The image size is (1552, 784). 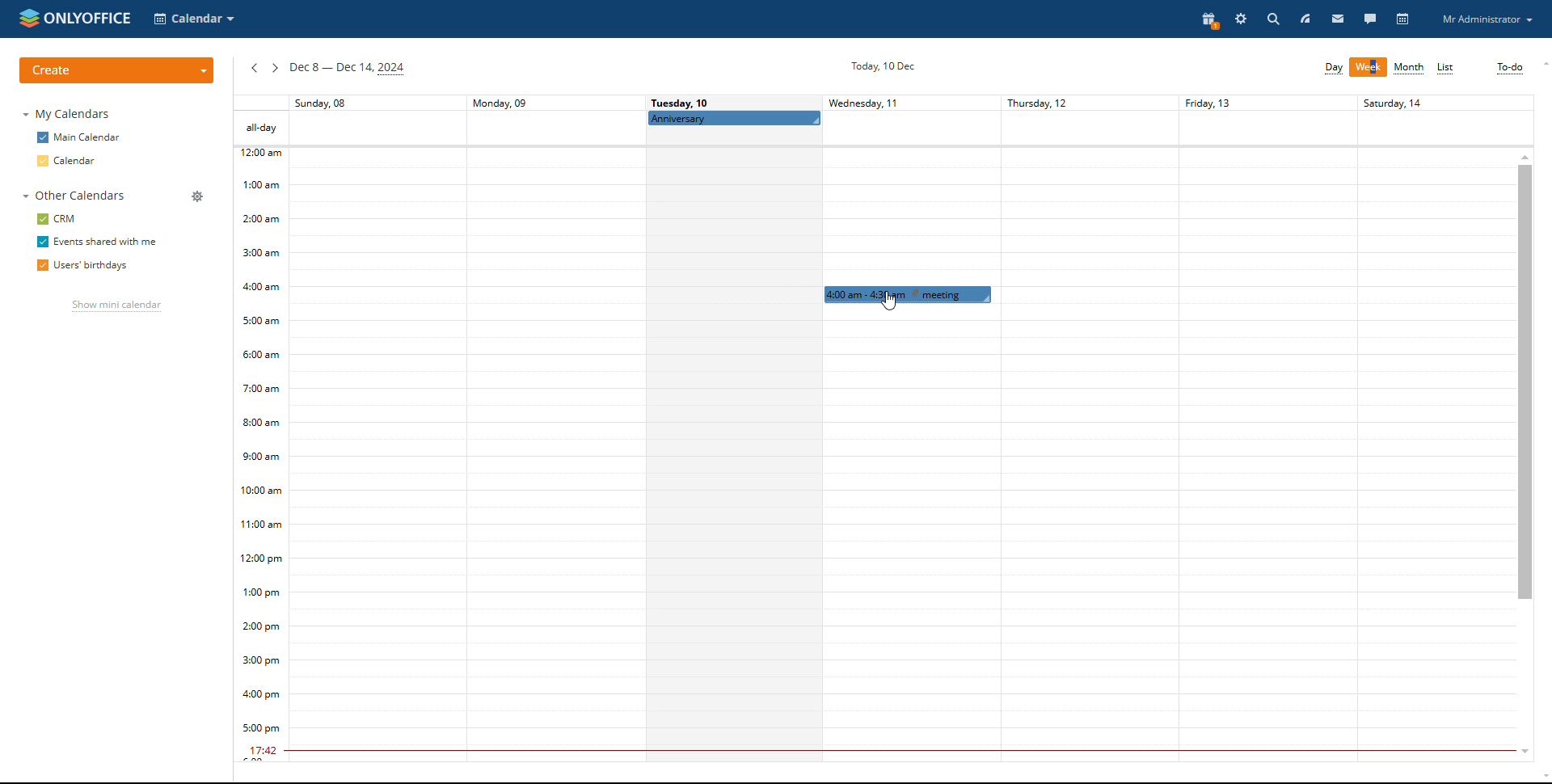 What do you see at coordinates (82, 266) in the screenshot?
I see `users' birthdays` at bounding box center [82, 266].